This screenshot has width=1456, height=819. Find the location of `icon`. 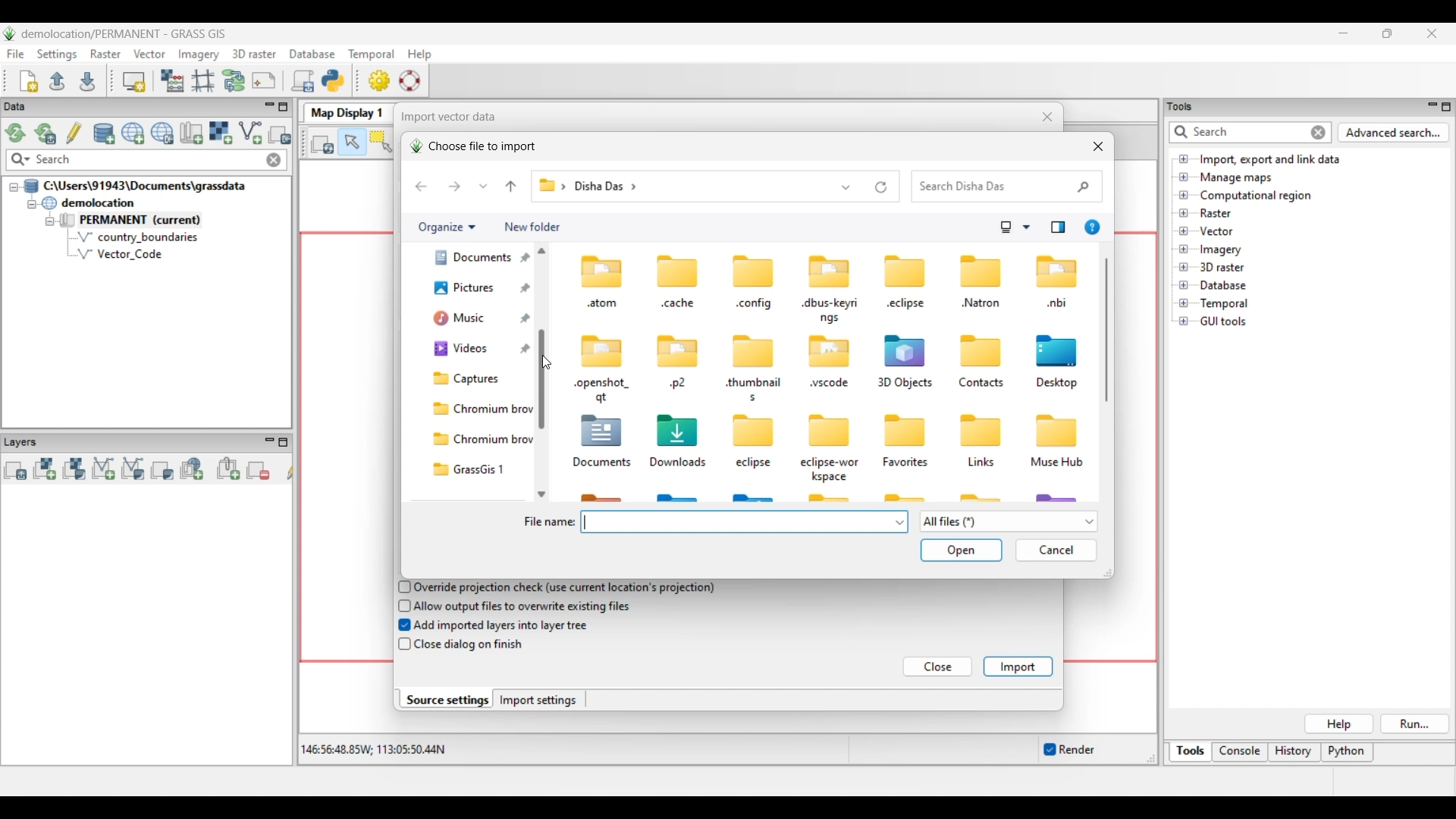

icon is located at coordinates (908, 350).